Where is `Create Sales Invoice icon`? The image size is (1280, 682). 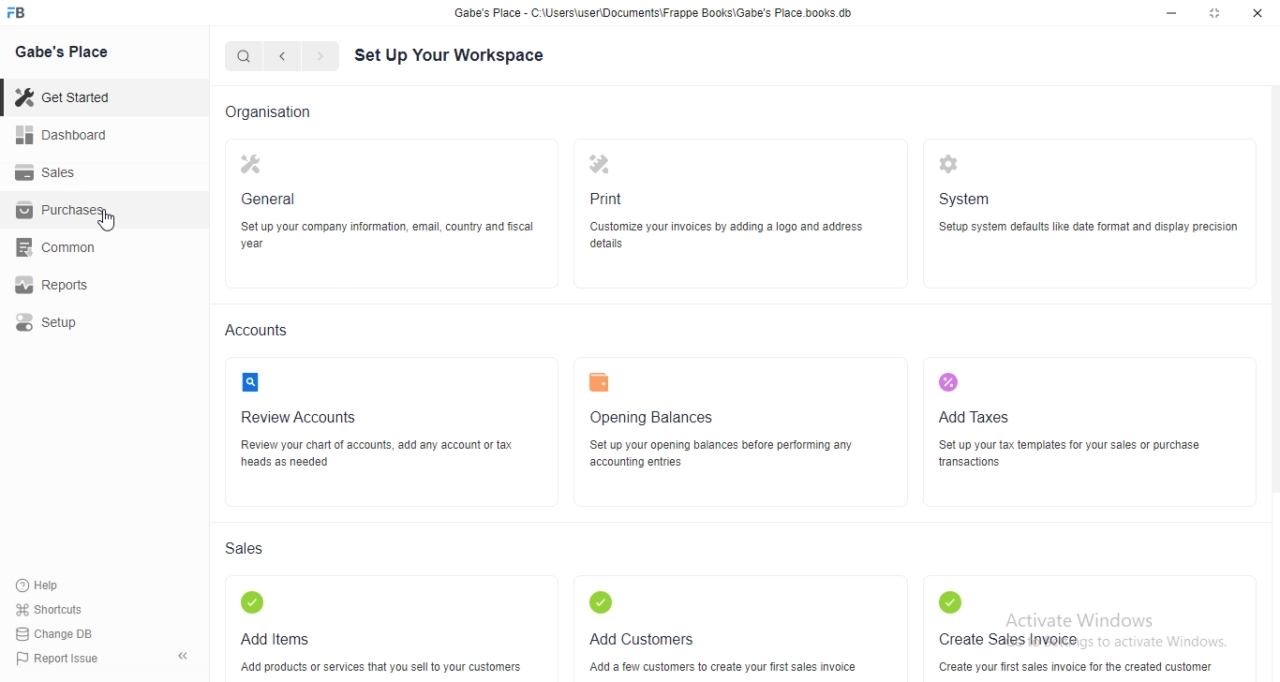 Create Sales Invoice icon is located at coordinates (950, 602).